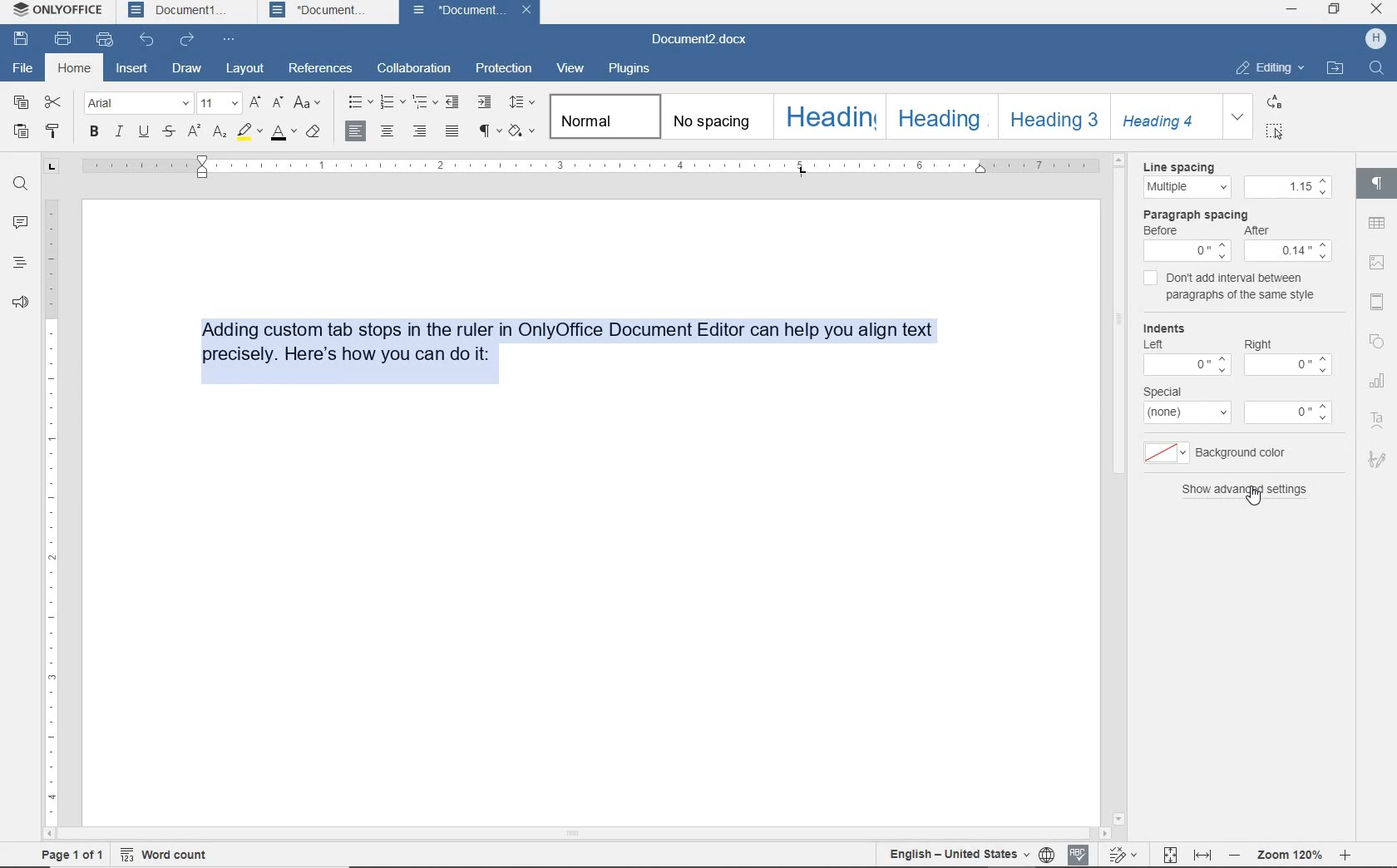 This screenshot has height=868, width=1397. I want to click on table, so click(1377, 223).